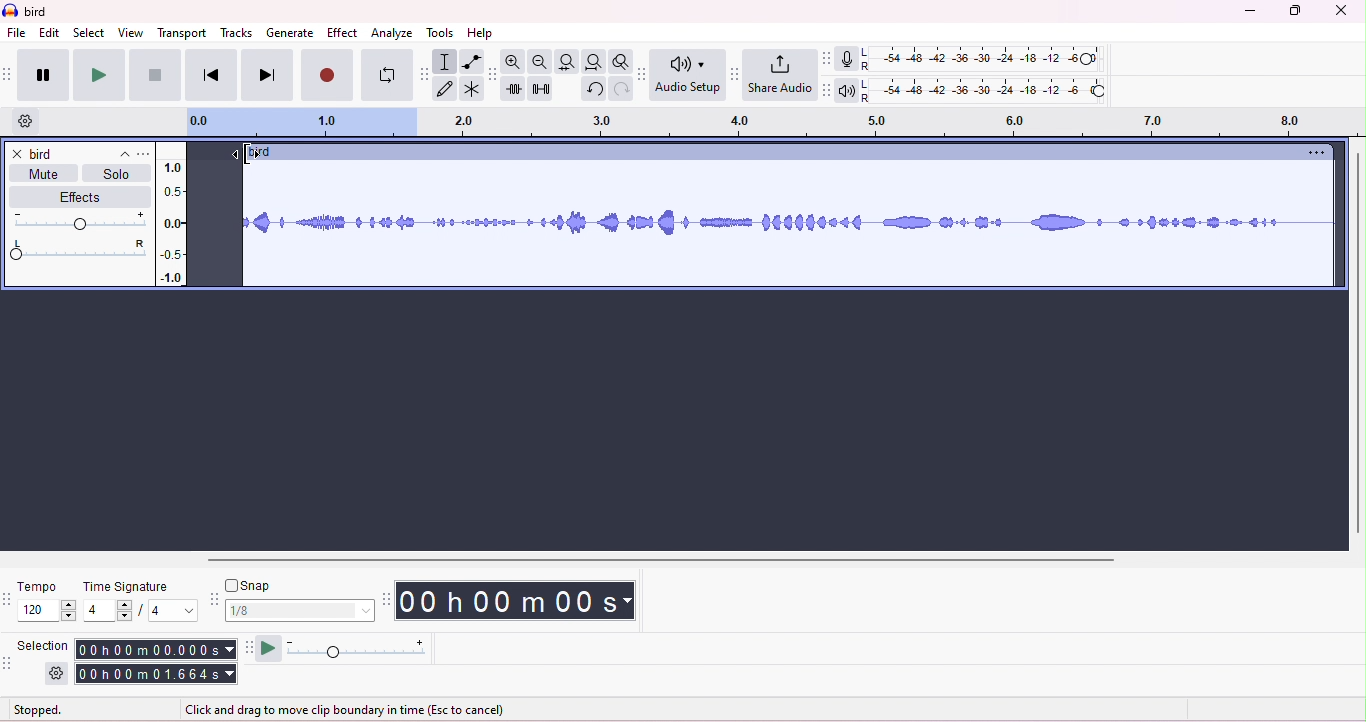 The height and width of the screenshot is (722, 1366). I want to click on transport, so click(184, 32).